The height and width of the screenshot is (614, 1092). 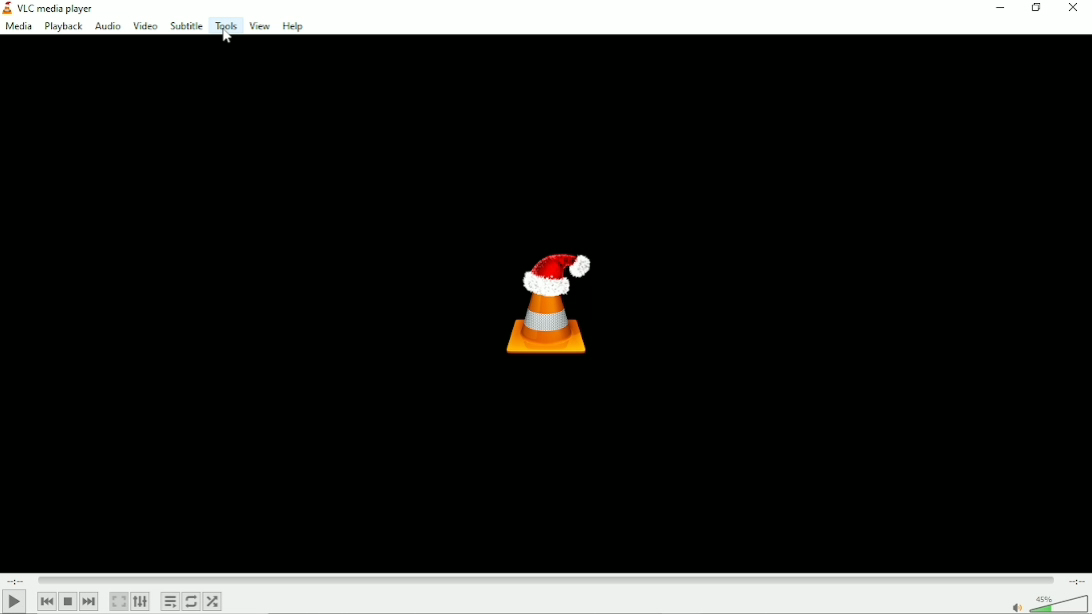 What do you see at coordinates (140, 602) in the screenshot?
I see `Show extended settings` at bounding box center [140, 602].